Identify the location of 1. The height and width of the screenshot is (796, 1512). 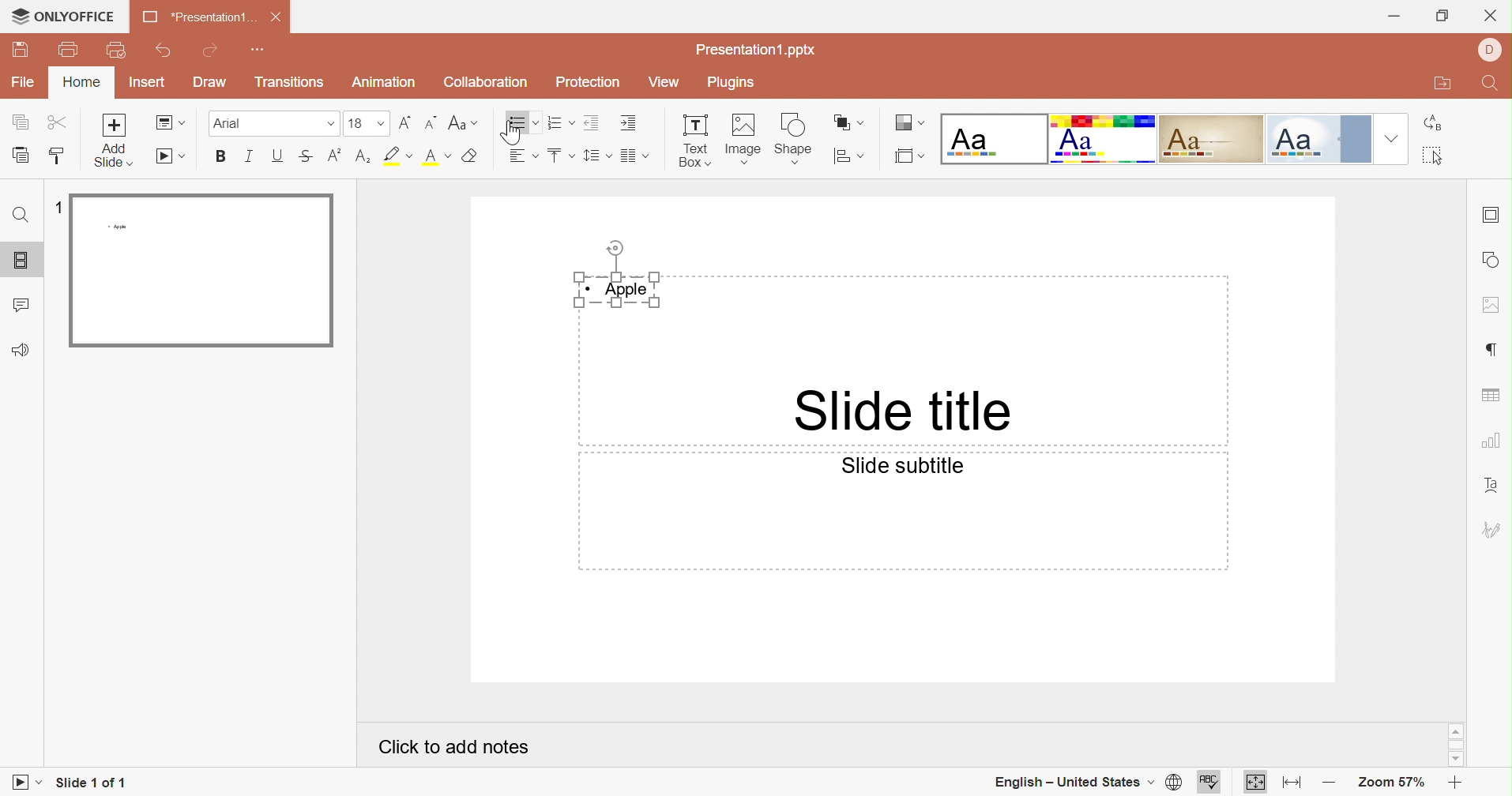
(56, 210).